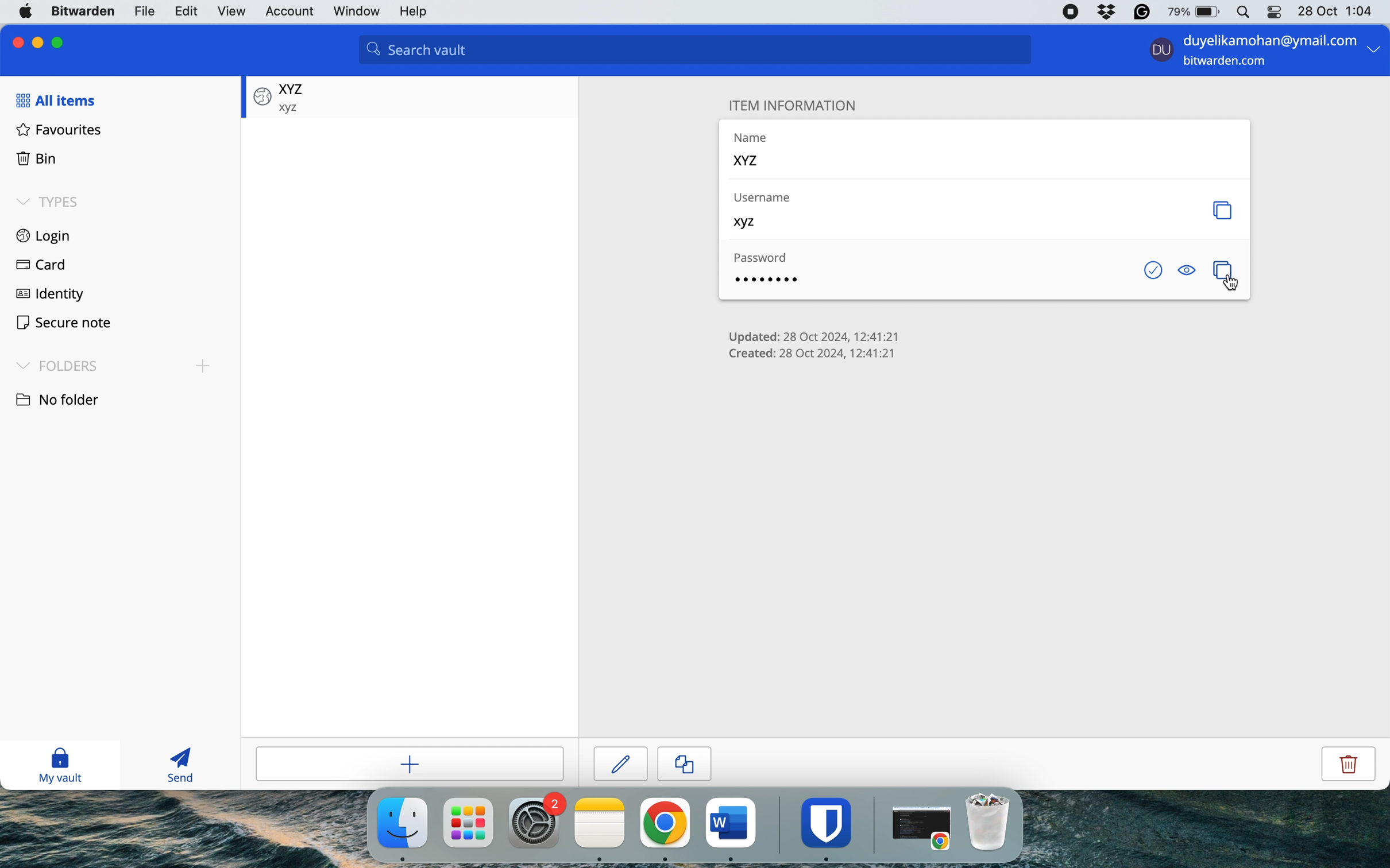  I want to click on delete, so click(1335, 765).